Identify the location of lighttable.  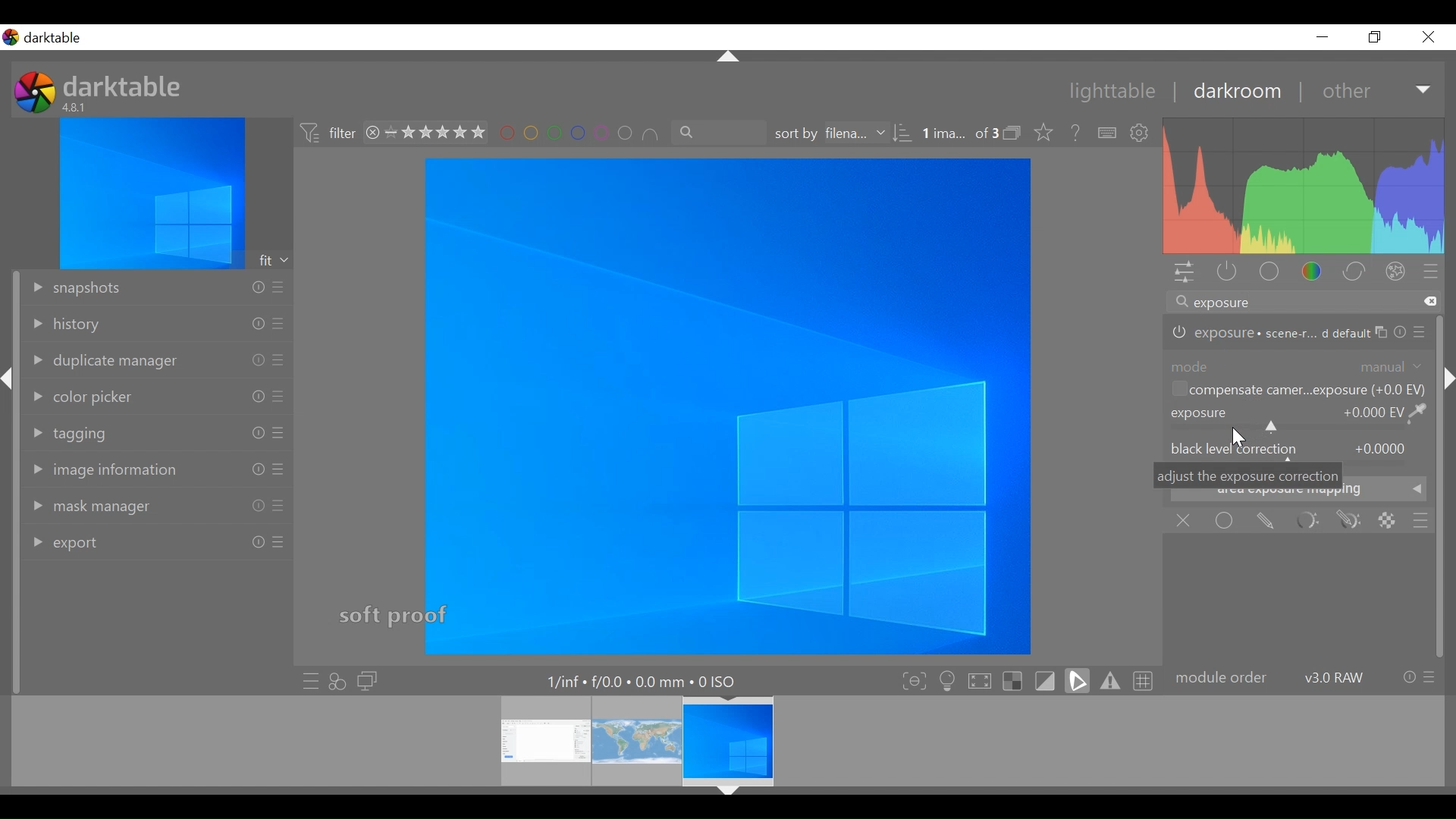
(1111, 93).